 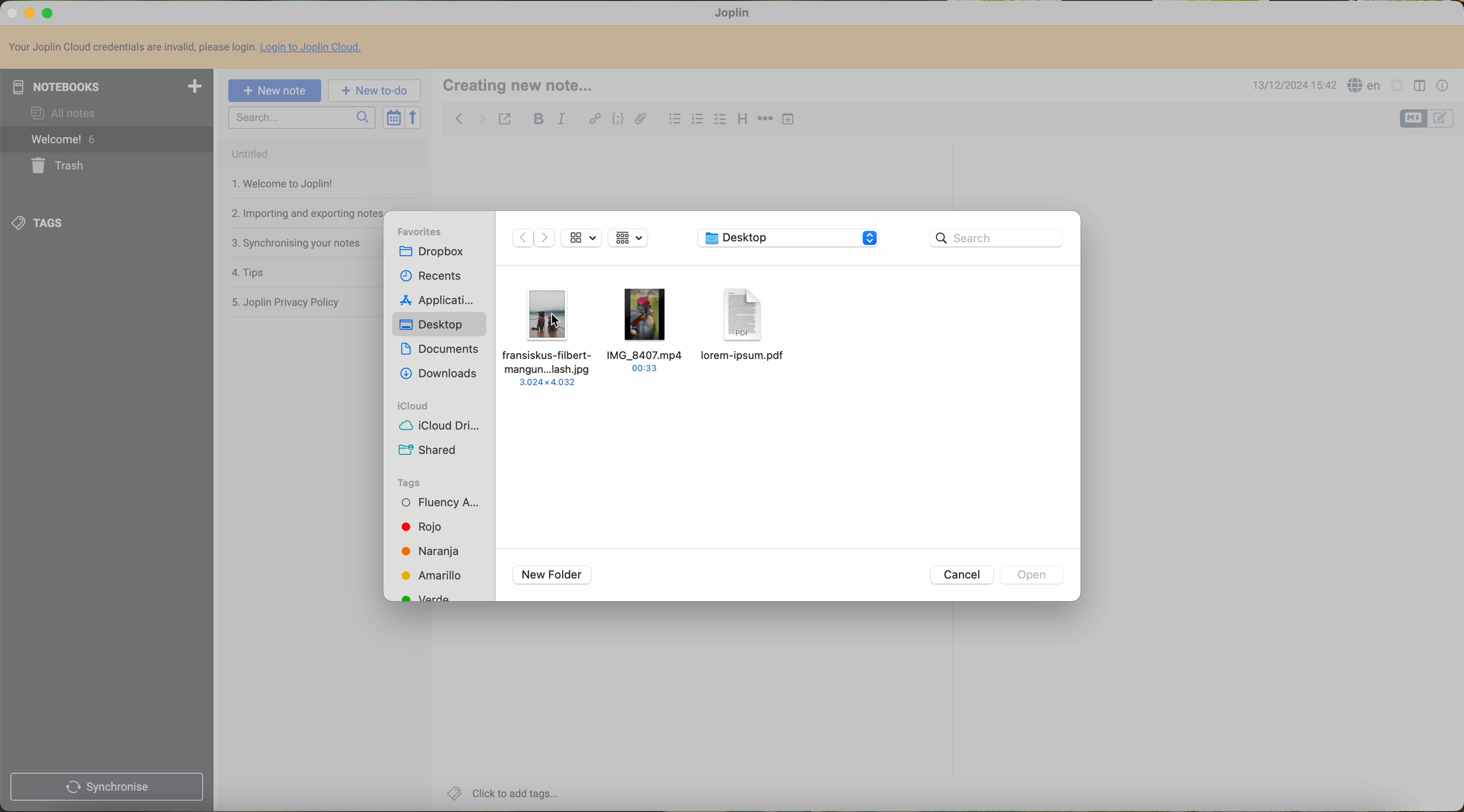 I want to click on icloud drive, so click(x=438, y=427).